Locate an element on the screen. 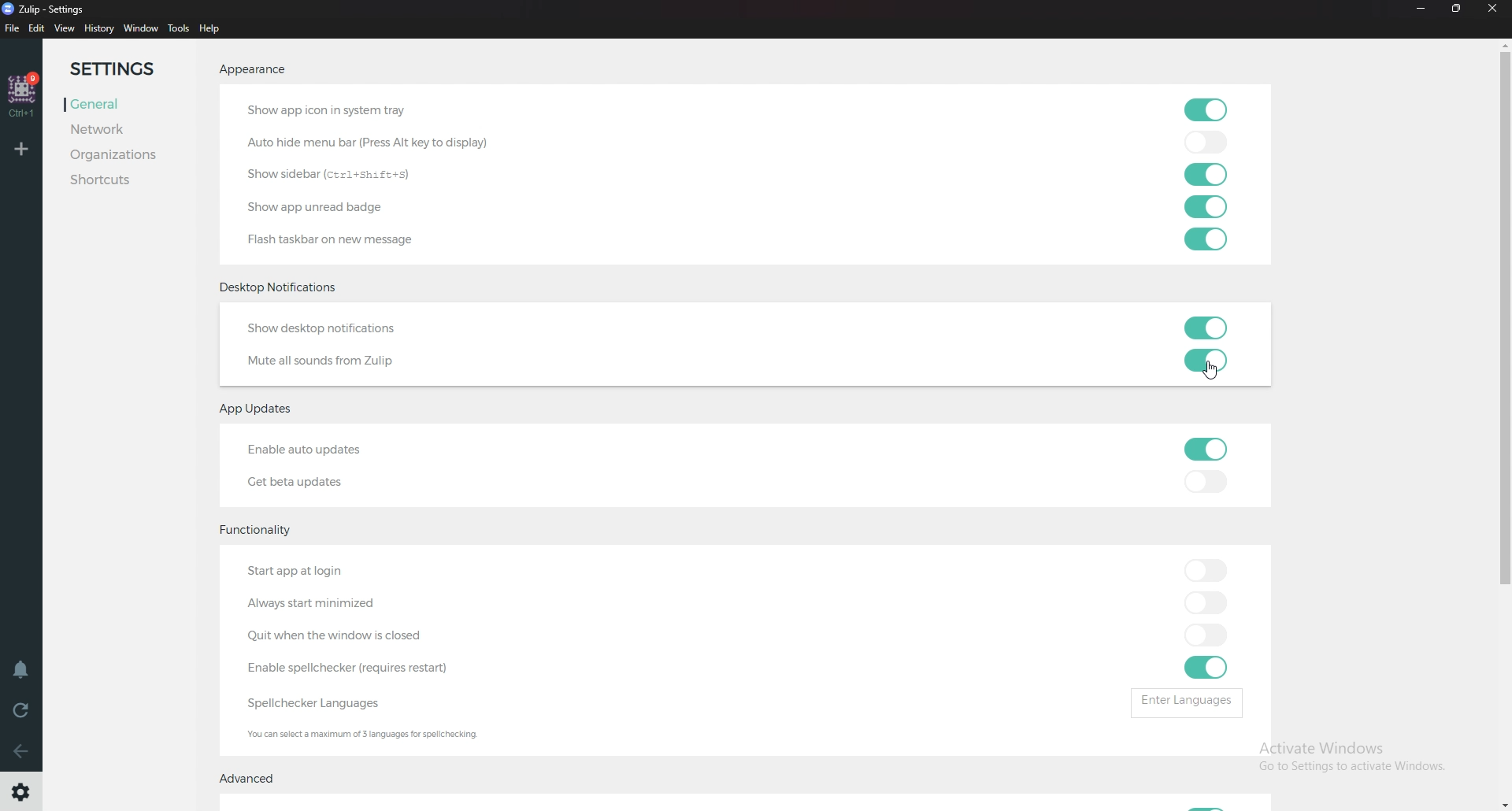  back is located at coordinates (22, 752).